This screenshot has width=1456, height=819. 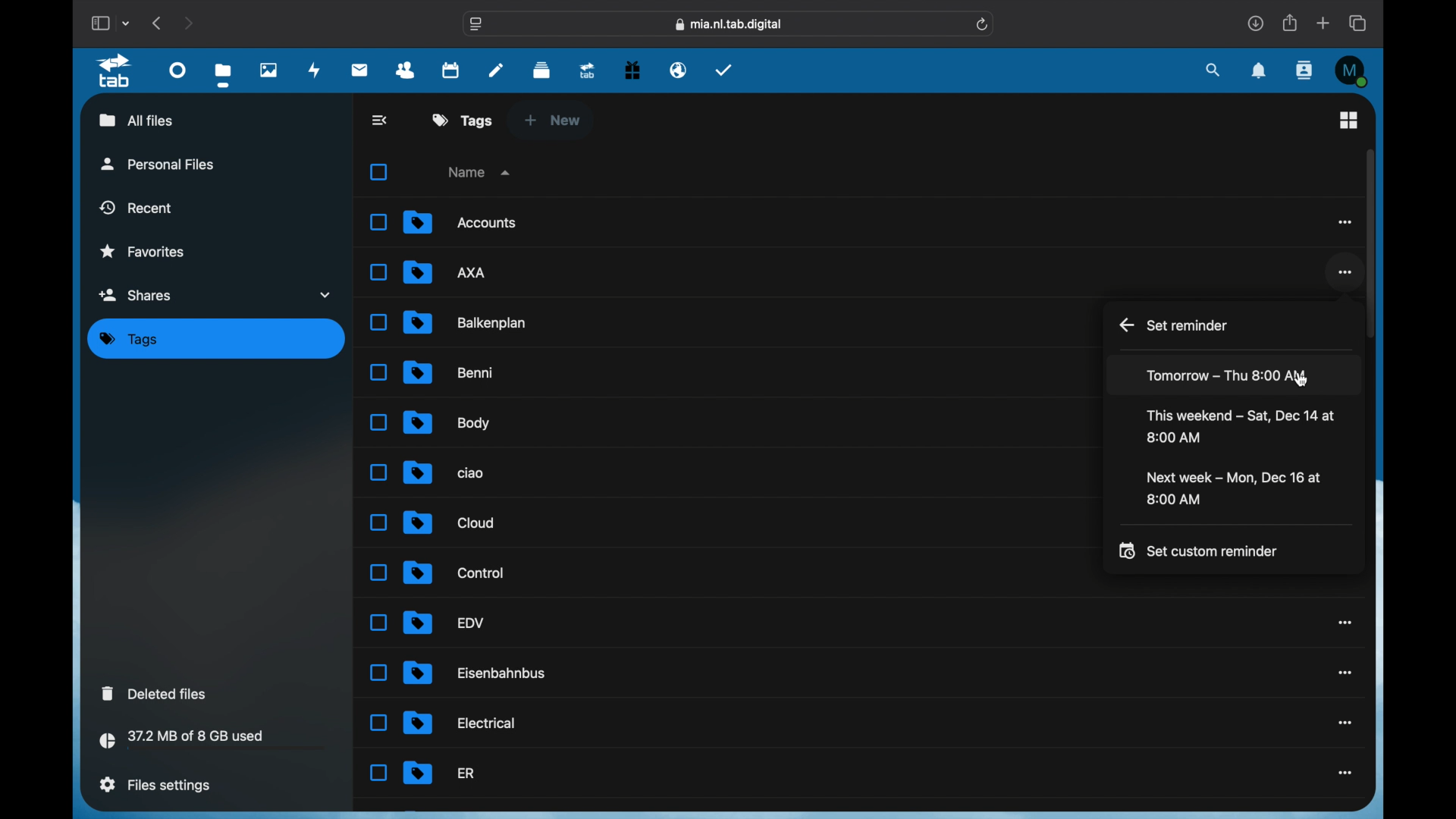 I want to click on Unselected Checkbox, so click(x=378, y=273).